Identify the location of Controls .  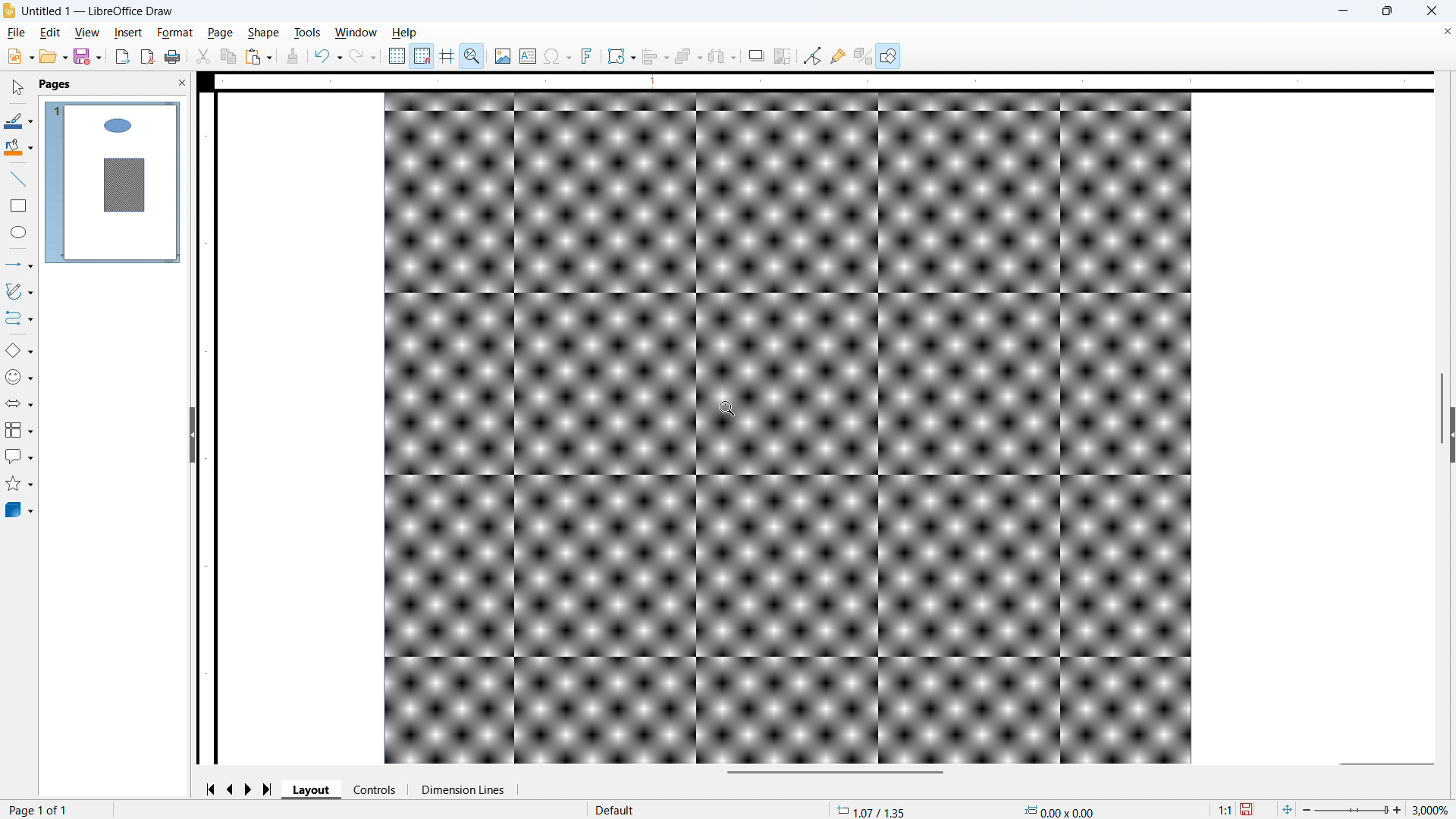
(376, 790).